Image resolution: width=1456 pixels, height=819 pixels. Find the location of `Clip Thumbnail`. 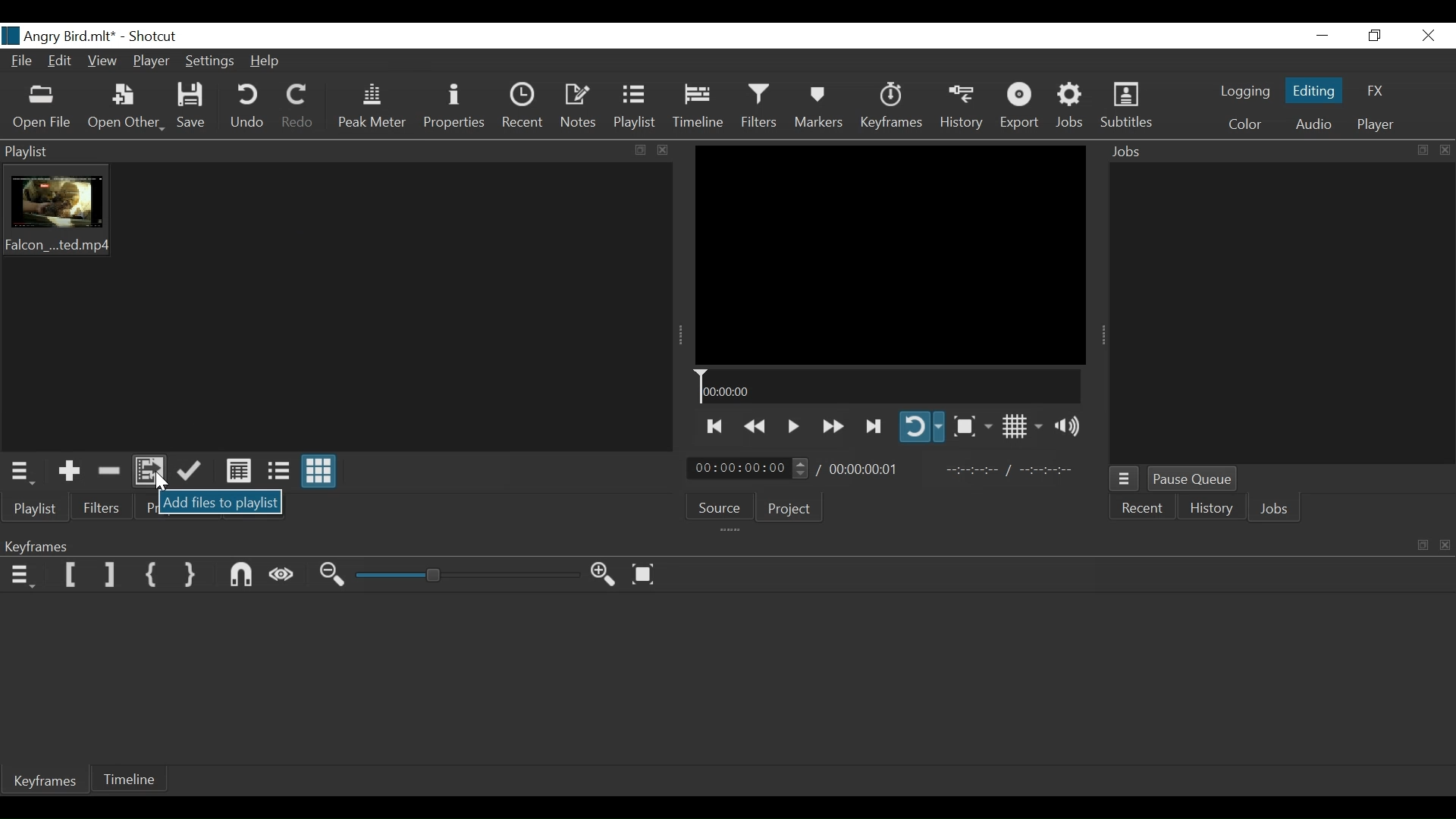

Clip Thumbnail is located at coordinates (335, 309).